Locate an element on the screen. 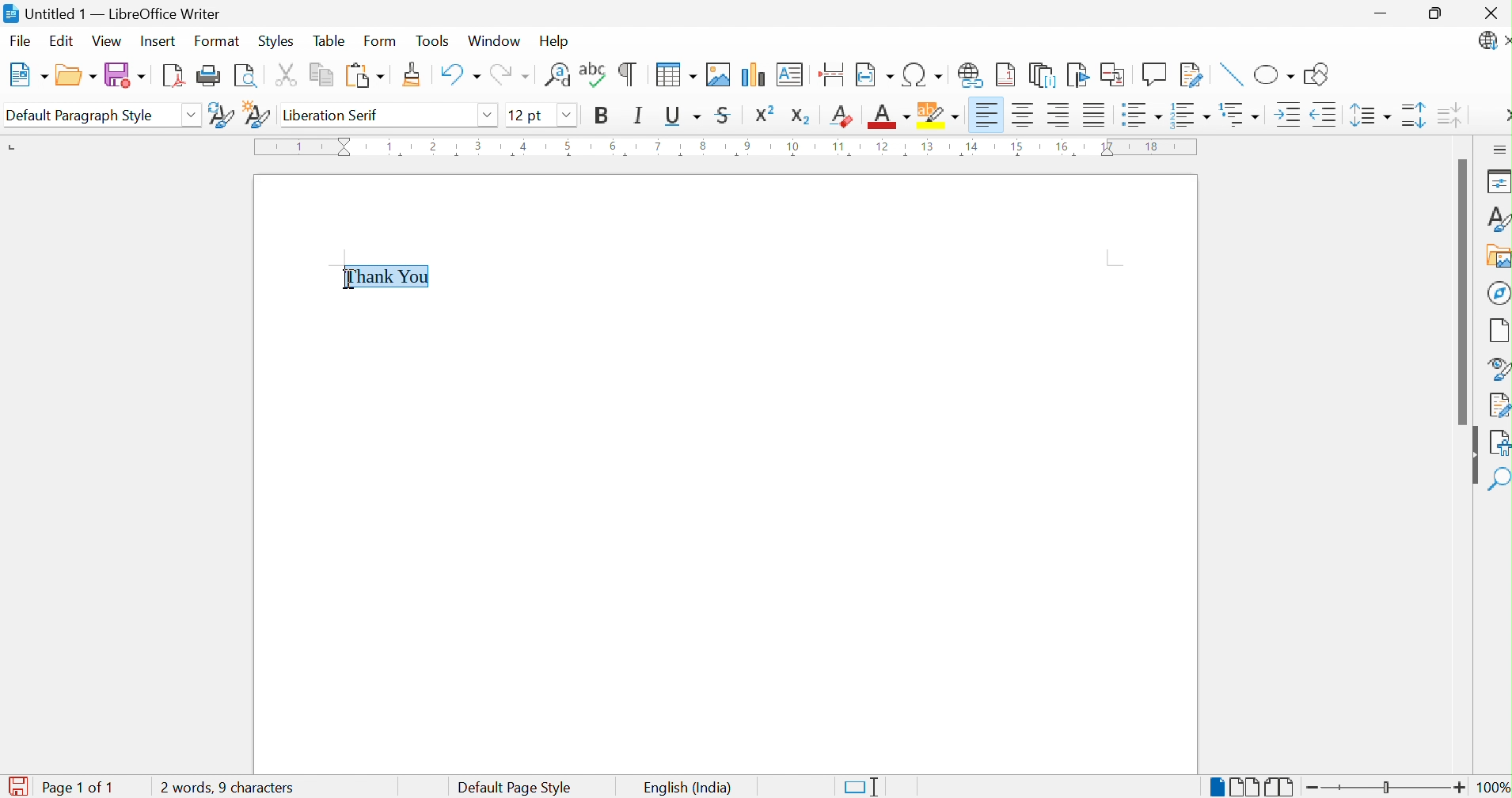 This screenshot has height=798, width=1512. Insert Line is located at coordinates (1229, 74).